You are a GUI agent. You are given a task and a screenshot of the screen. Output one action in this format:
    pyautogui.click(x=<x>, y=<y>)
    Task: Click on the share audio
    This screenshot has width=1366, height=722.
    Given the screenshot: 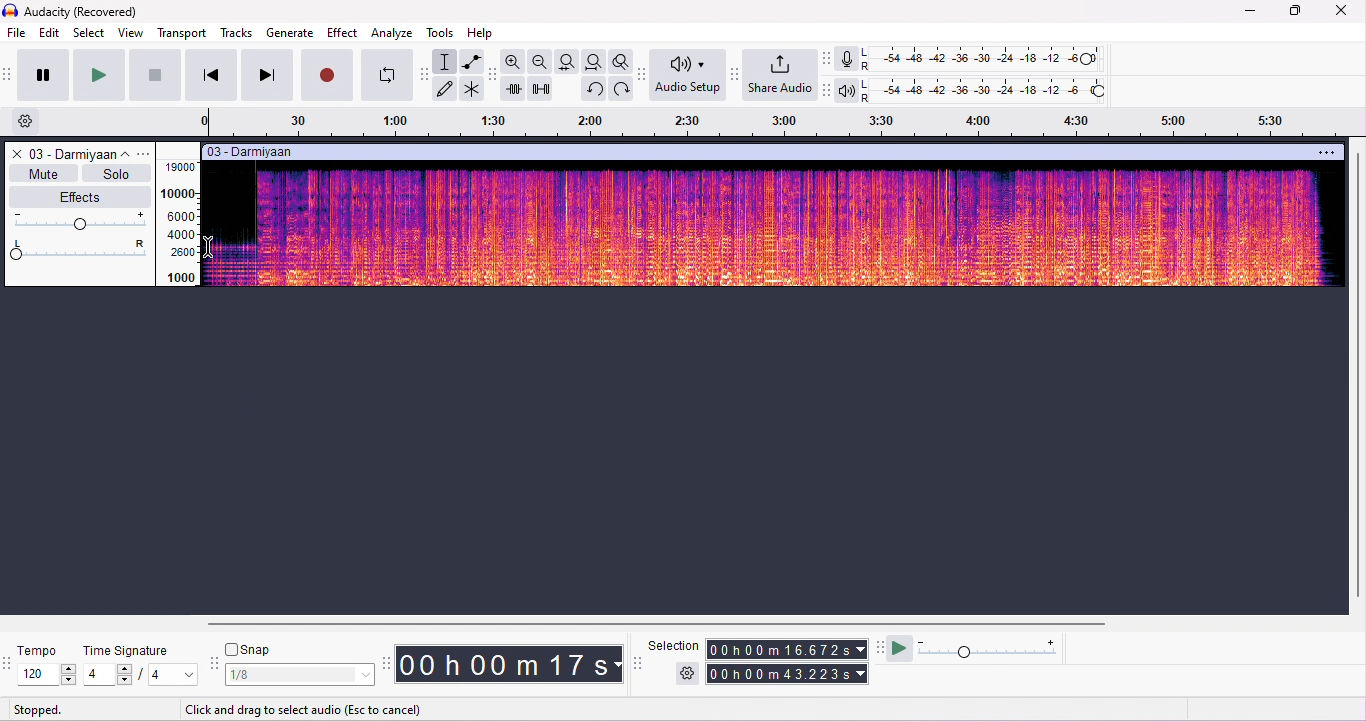 What is the action you would take?
    pyautogui.click(x=779, y=75)
    